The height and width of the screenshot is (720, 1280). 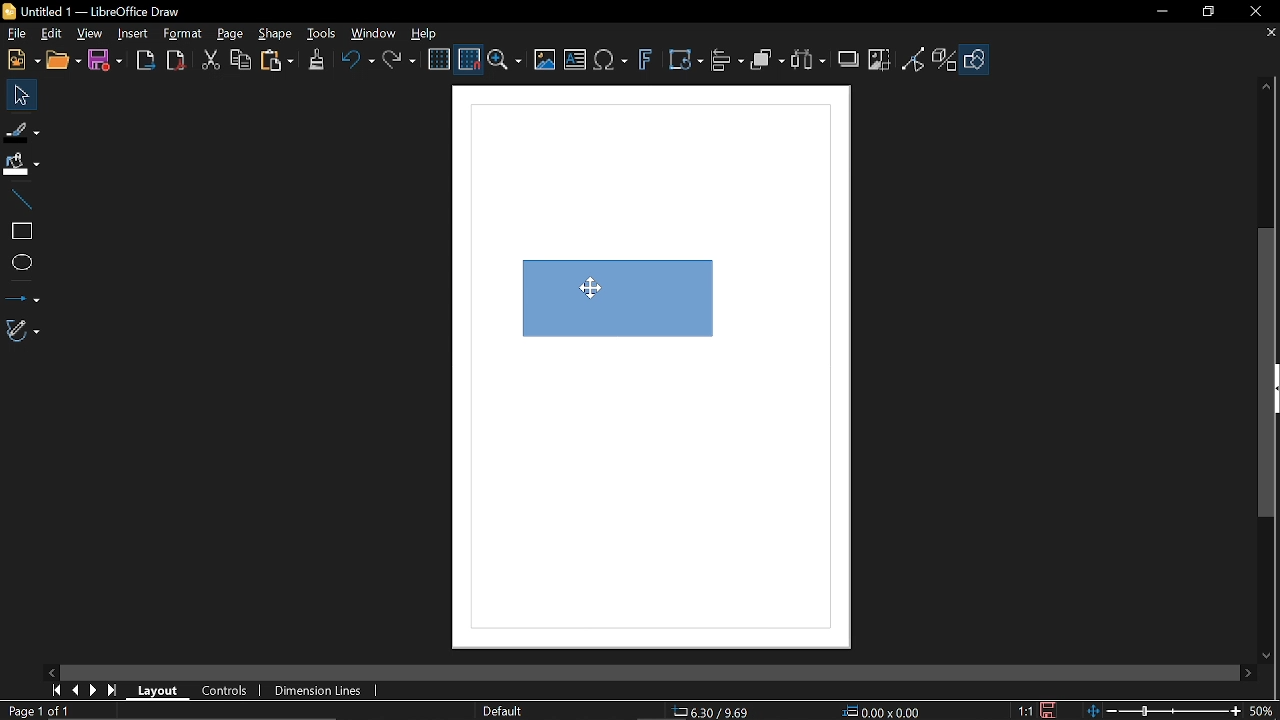 I want to click on Move, so click(x=17, y=94).